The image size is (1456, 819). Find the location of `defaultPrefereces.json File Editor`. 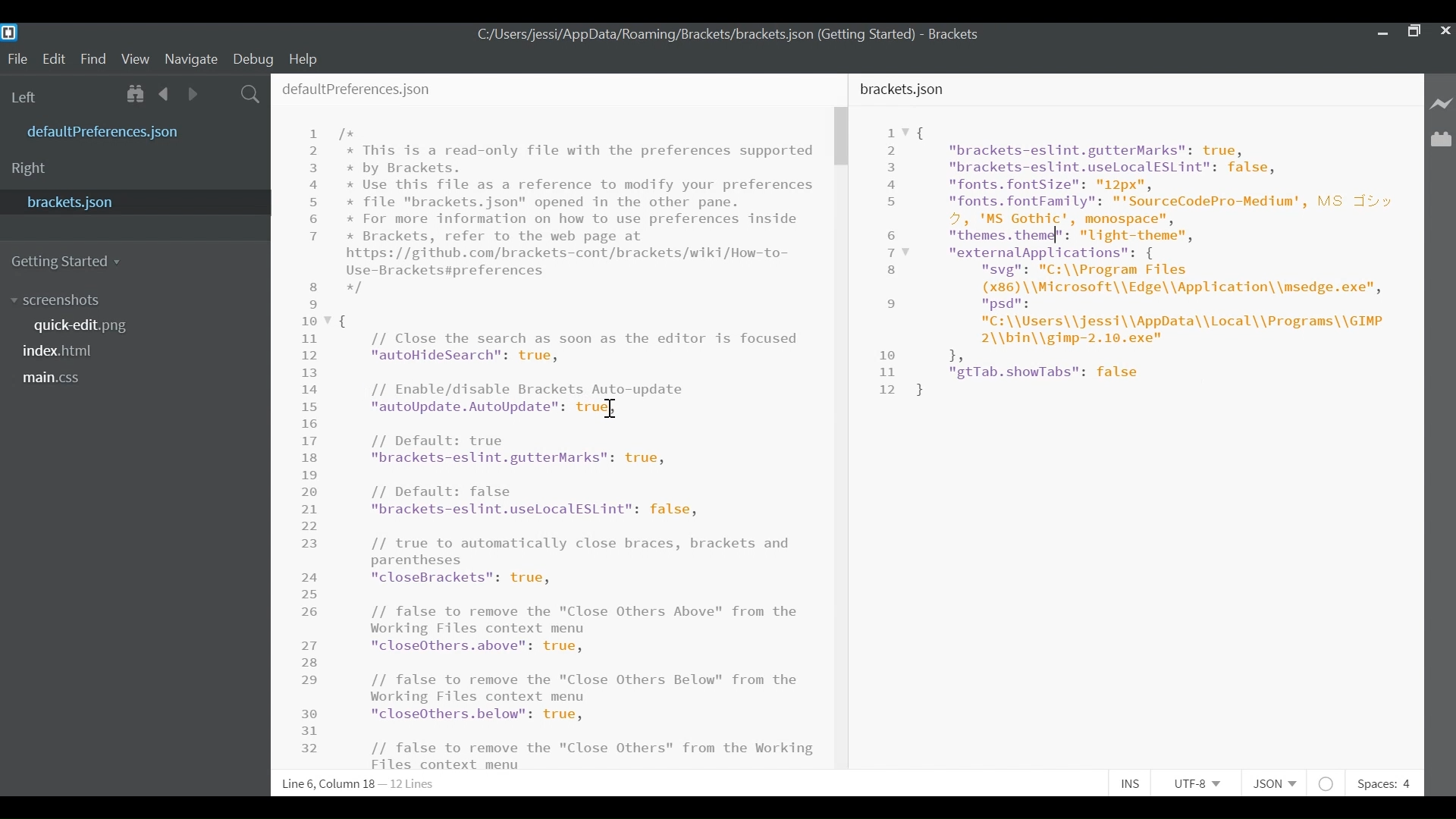

defaultPrefereces.json File Editor is located at coordinates (549, 421).